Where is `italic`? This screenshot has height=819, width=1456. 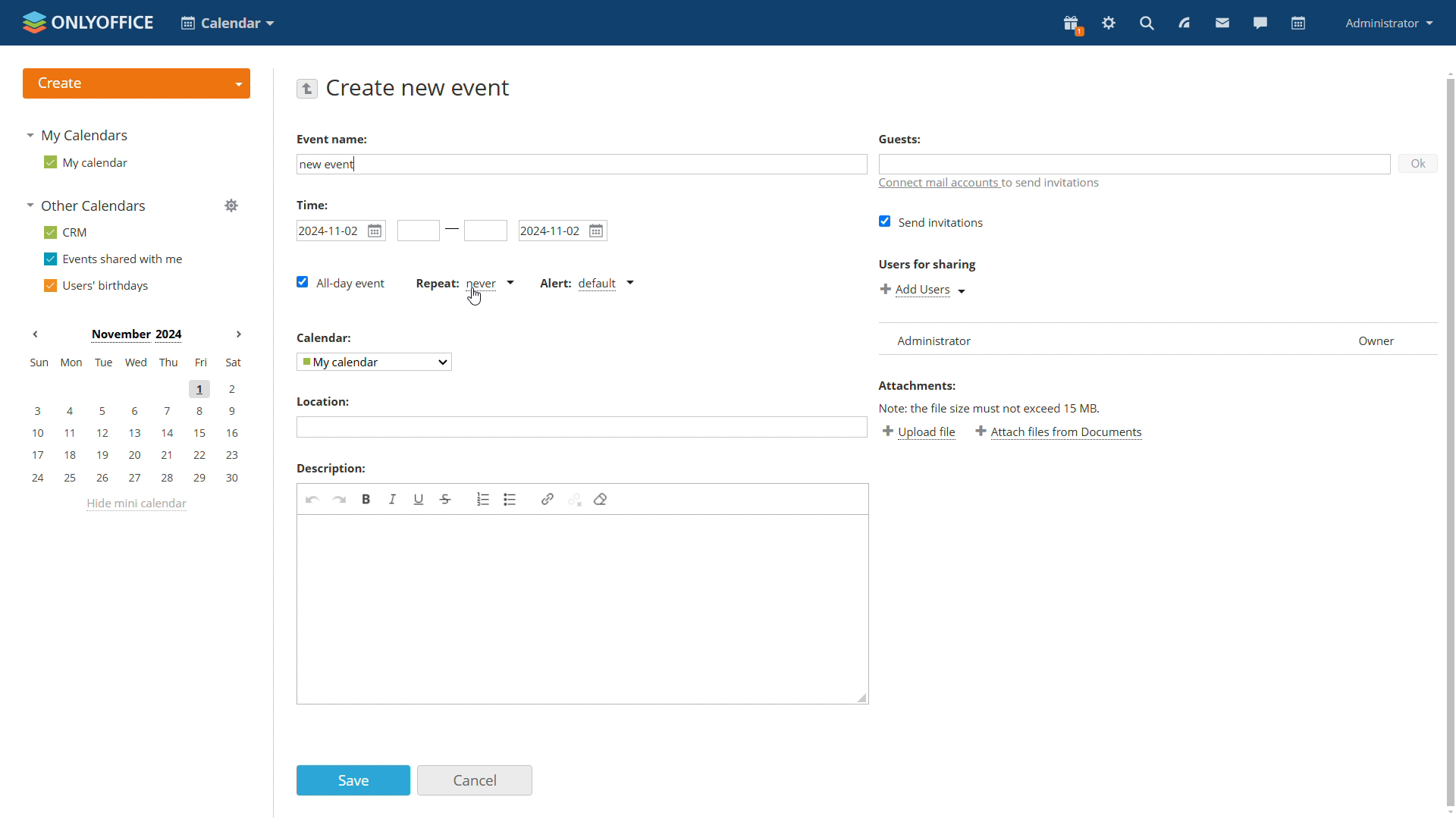 italic is located at coordinates (394, 500).